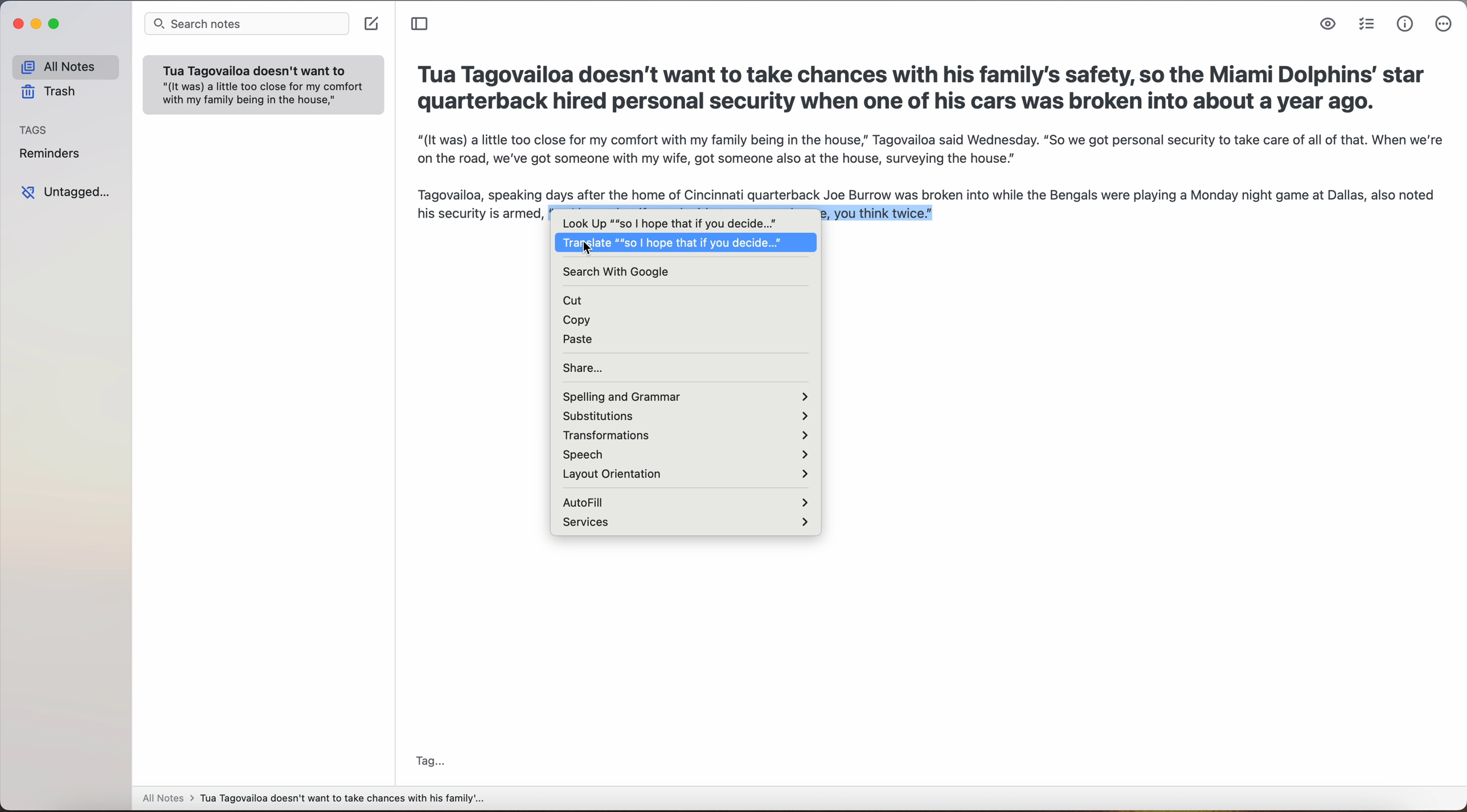  What do you see at coordinates (573, 300) in the screenshot?
I see `cut` at bounding box center [573, 300].